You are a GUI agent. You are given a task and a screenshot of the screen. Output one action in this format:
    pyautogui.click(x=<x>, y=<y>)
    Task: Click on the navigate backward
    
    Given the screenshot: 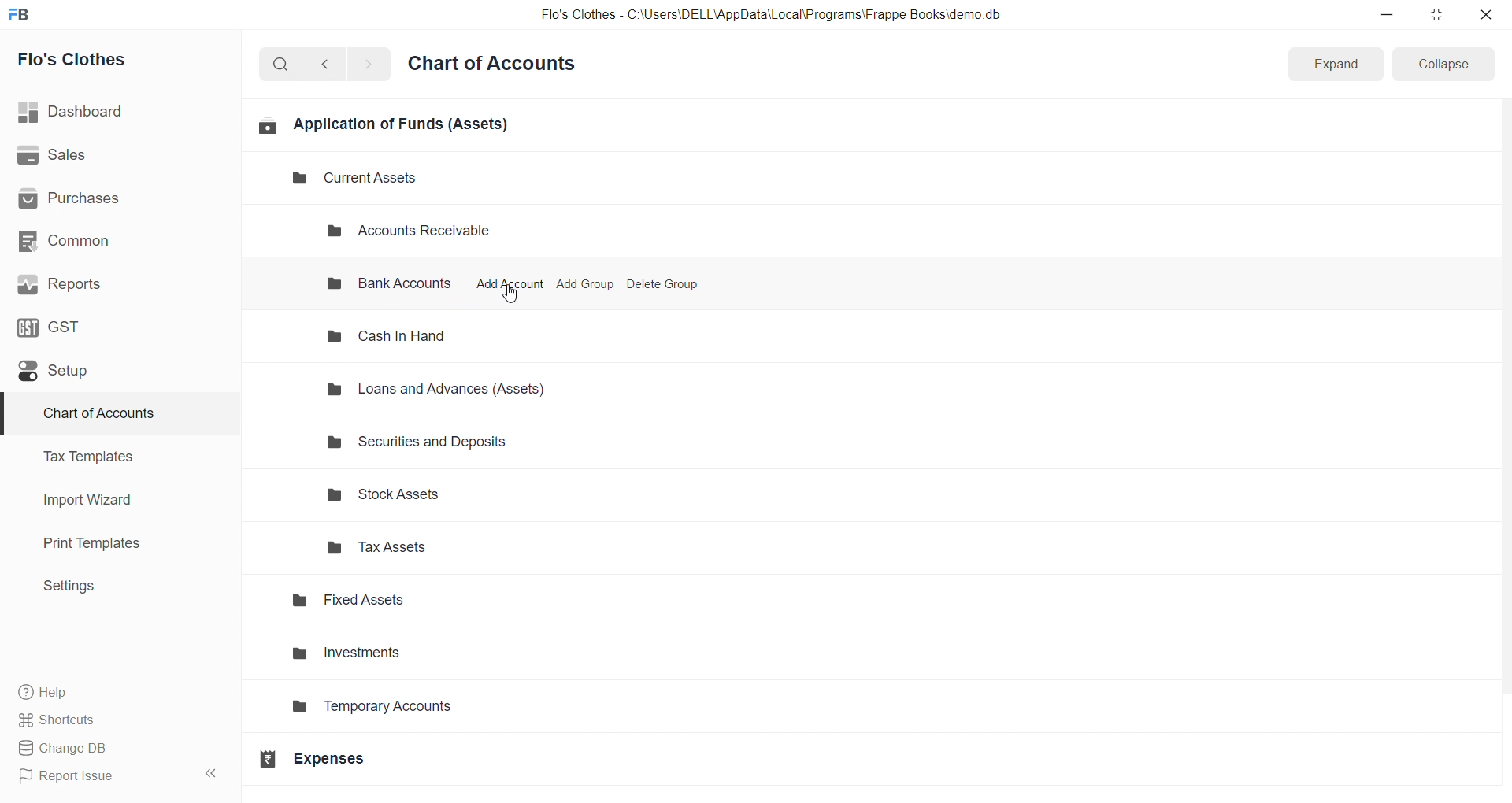 What is the action you would take?
    pyautogui.click(x=332, y=62)
    